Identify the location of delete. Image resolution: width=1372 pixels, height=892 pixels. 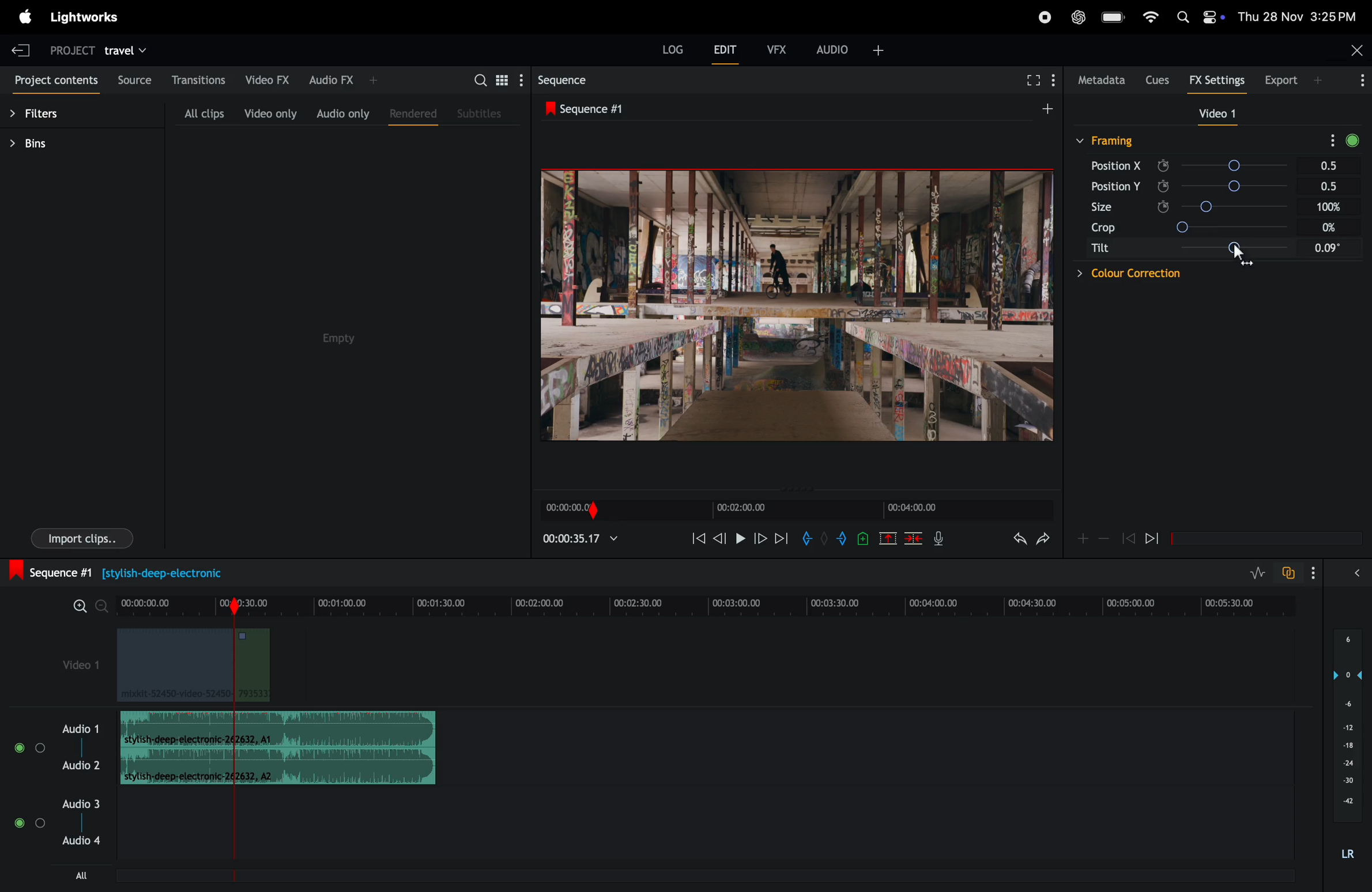
(914, 538).